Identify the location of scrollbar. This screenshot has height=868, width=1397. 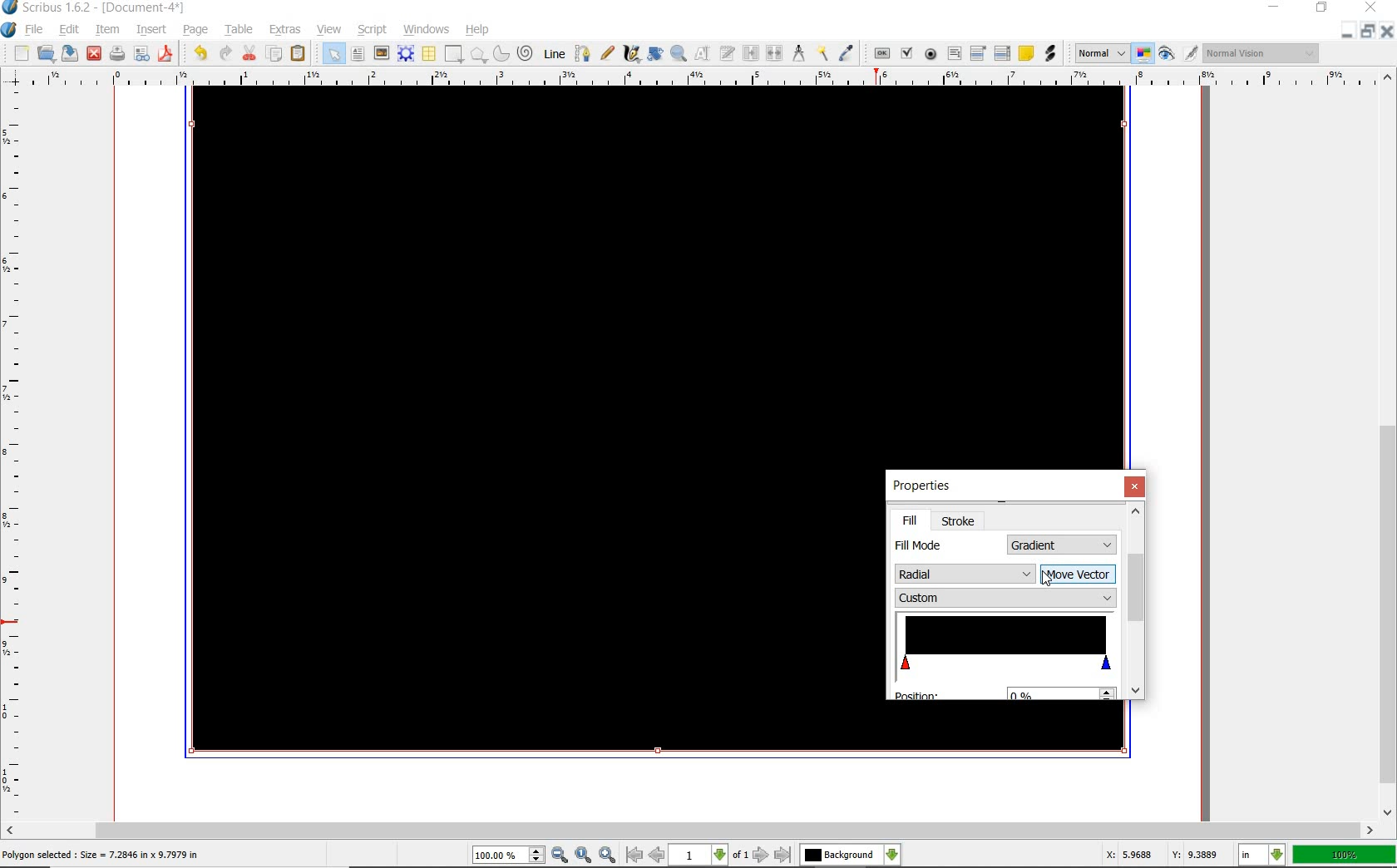
(690, 830).